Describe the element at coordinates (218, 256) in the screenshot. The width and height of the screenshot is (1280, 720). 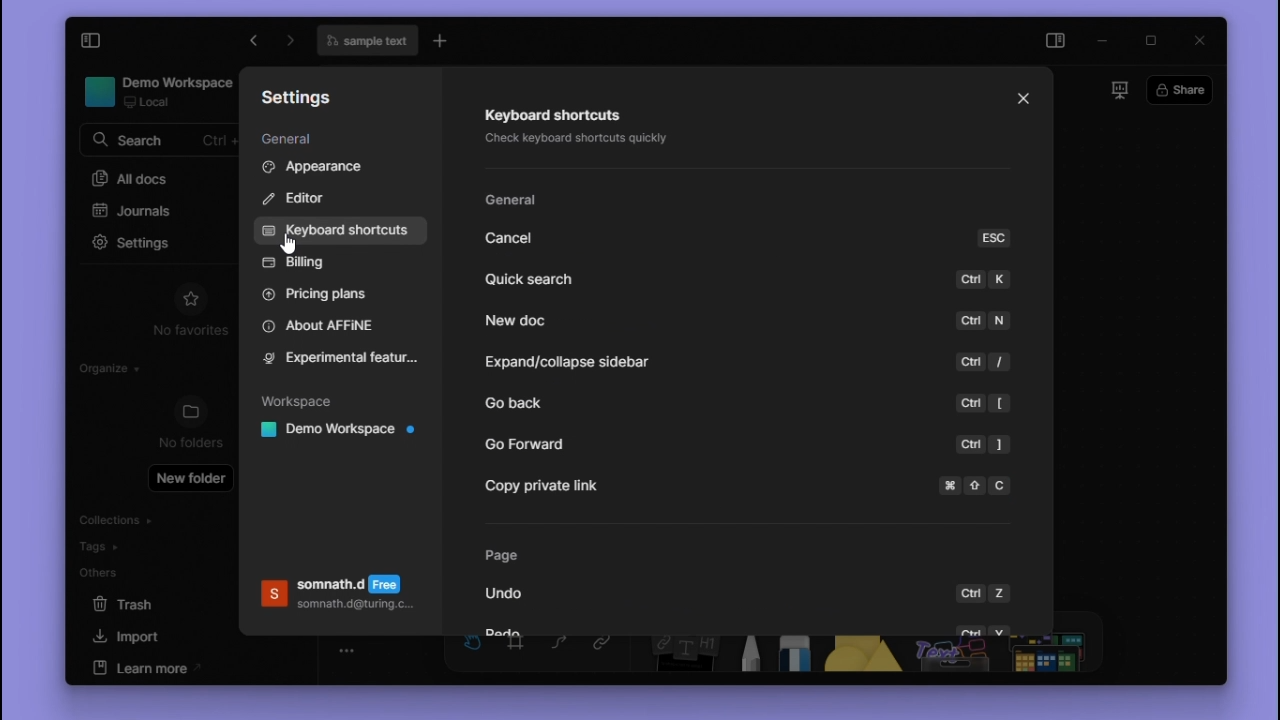
I see `cursor` at that location.